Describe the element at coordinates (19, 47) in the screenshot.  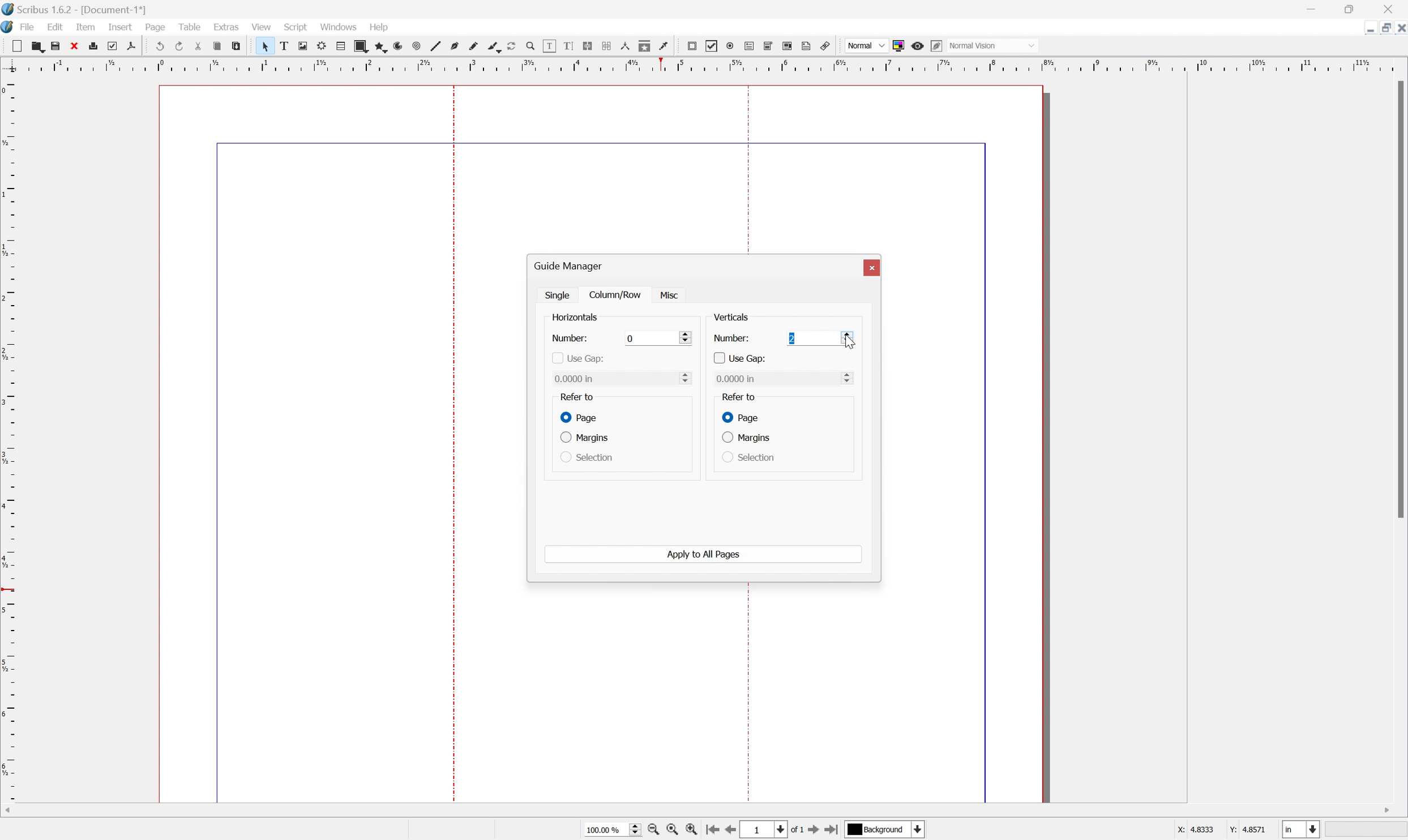
I see `new` at that location.